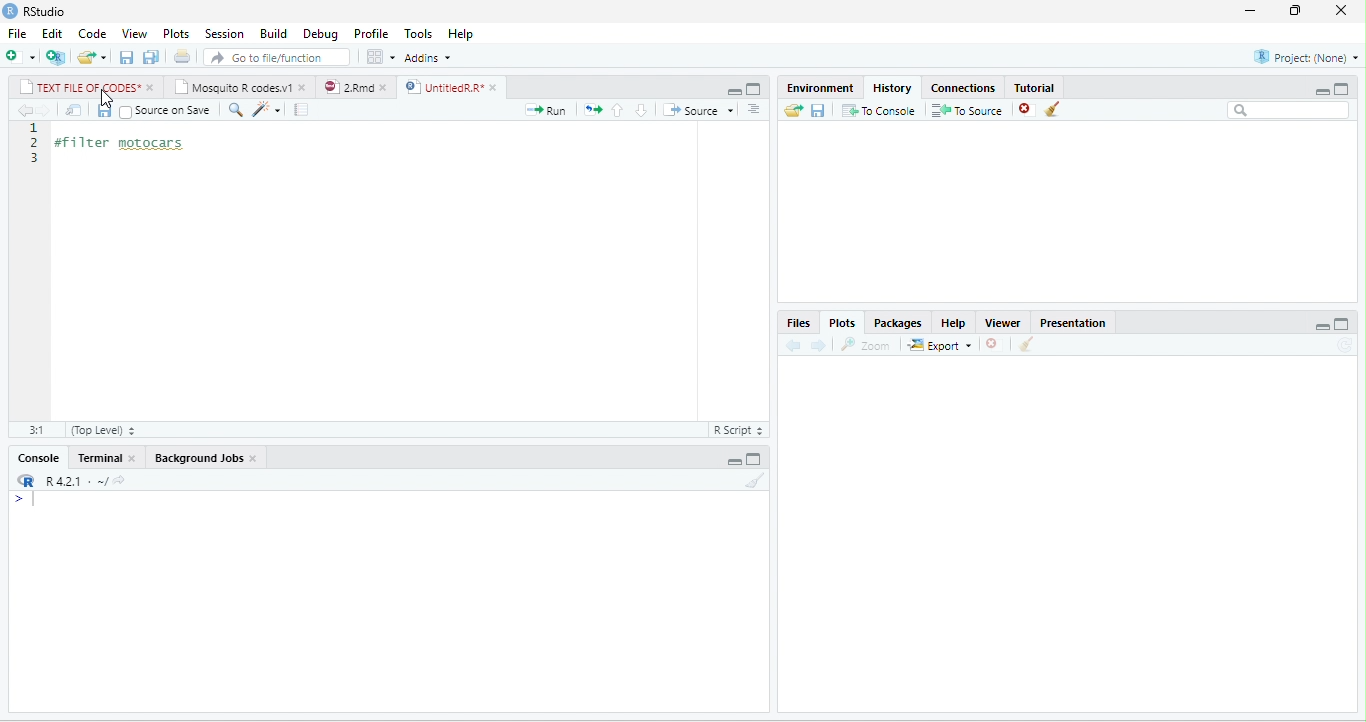 This screenshot has width=1366, height=722. What do you see at coordinates (441, 87) in the screenshot?
I see `UntitledR.R` at bounding box center [441, 87].